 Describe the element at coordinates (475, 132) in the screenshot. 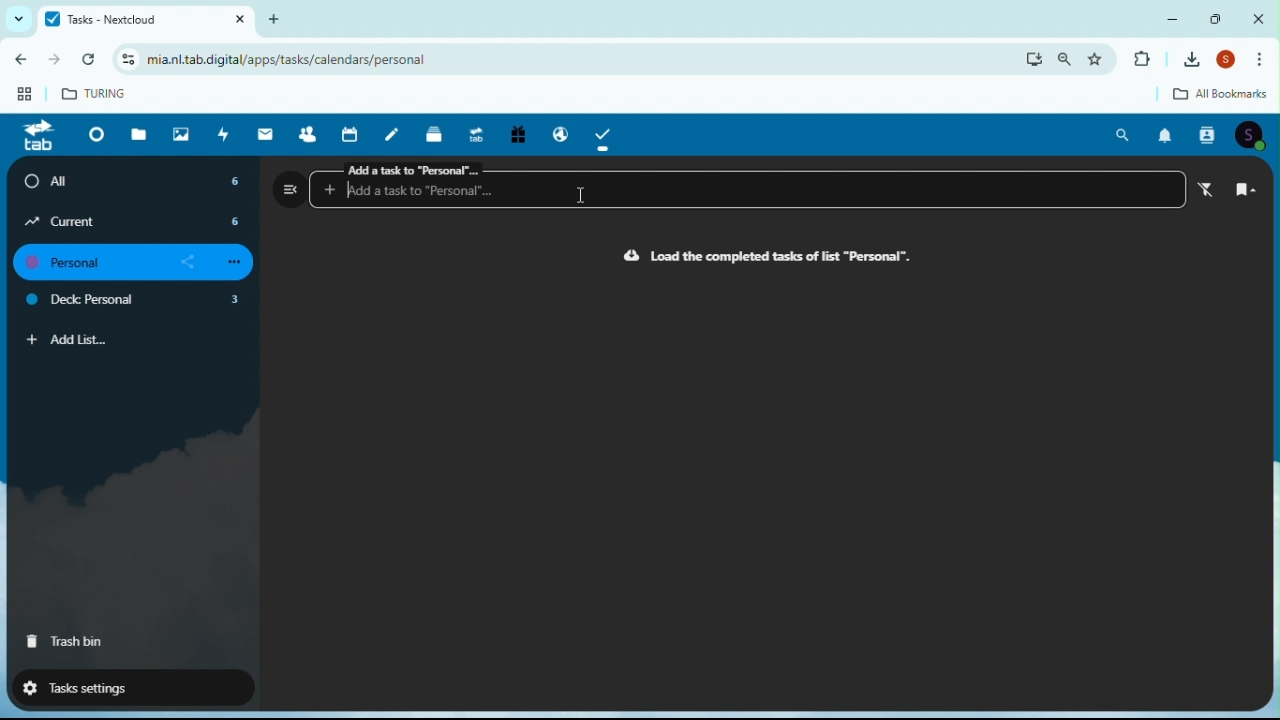

I see `Upgrade` at that location.